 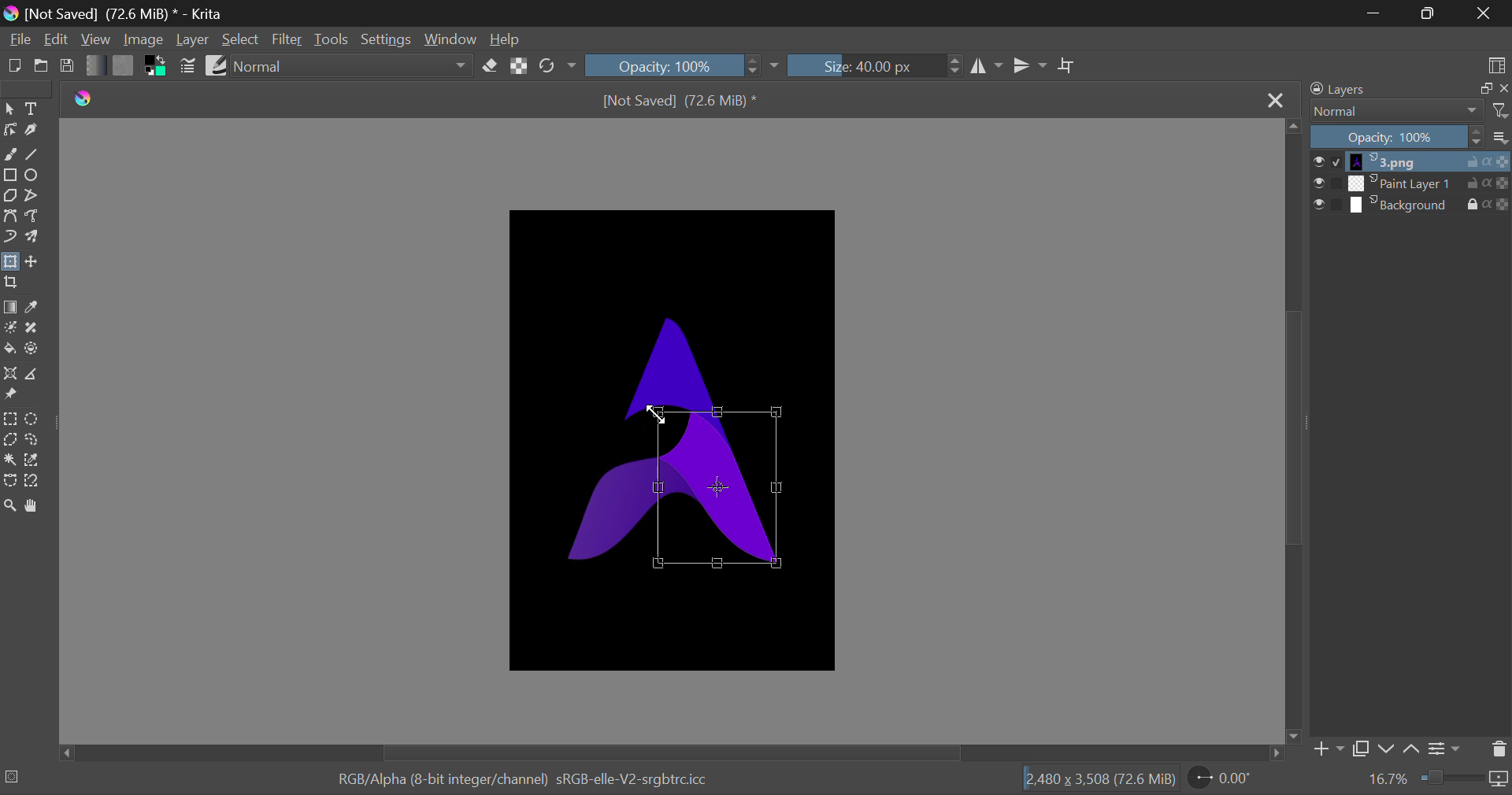 What do you see at coordinates (13, 175) in the screenshot?
I see `Rectangle` at bounding box center [13, 175].